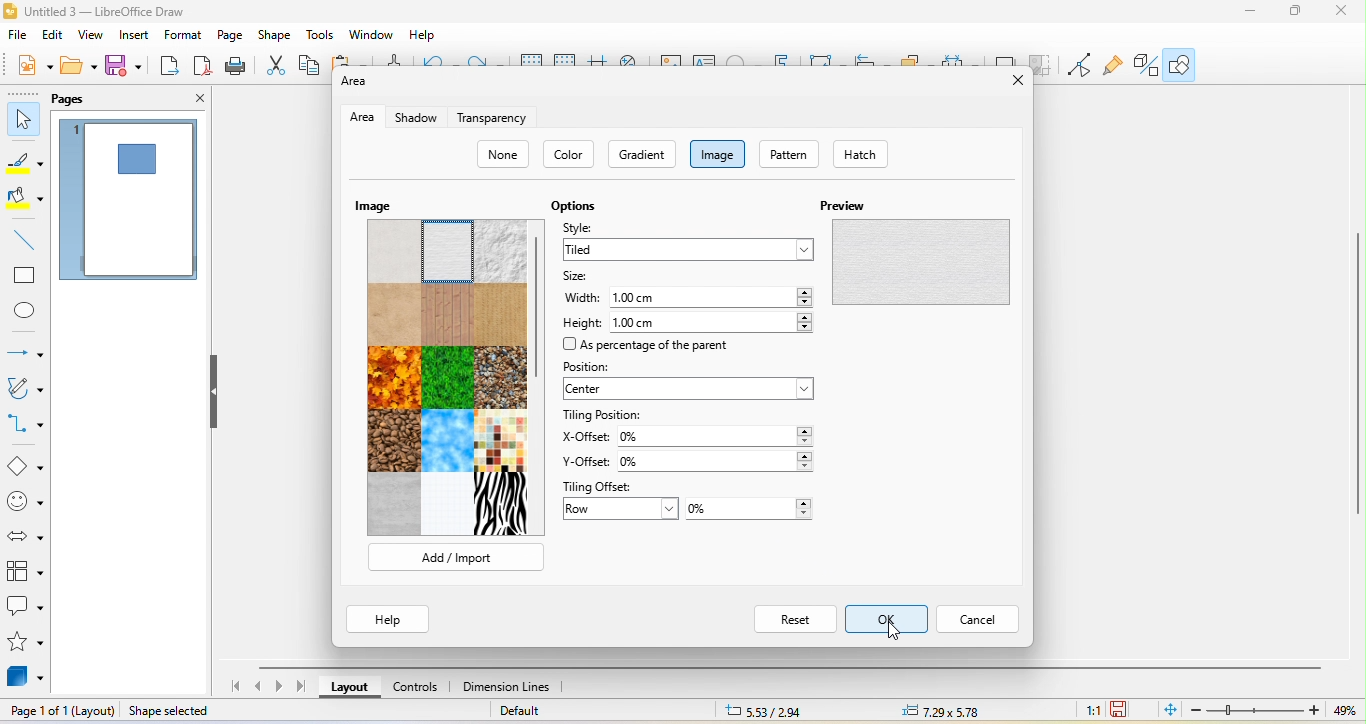 Image resolution: width=1366 pixels, height=724 pixels. I want to click on size, so click(578, 276).